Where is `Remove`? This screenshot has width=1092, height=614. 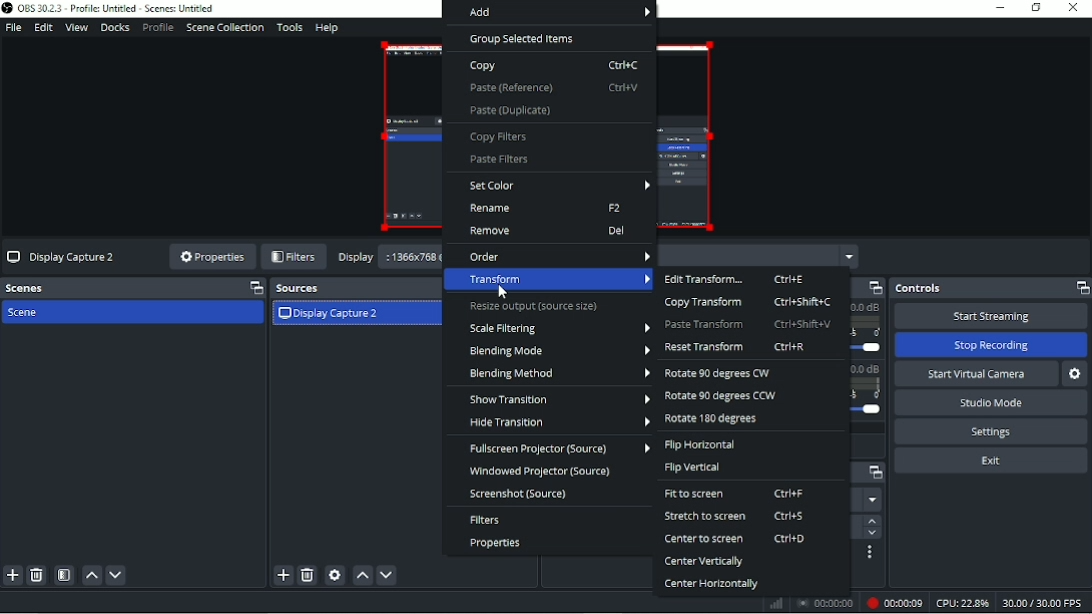
Remove is located at coordinates (547, 231).